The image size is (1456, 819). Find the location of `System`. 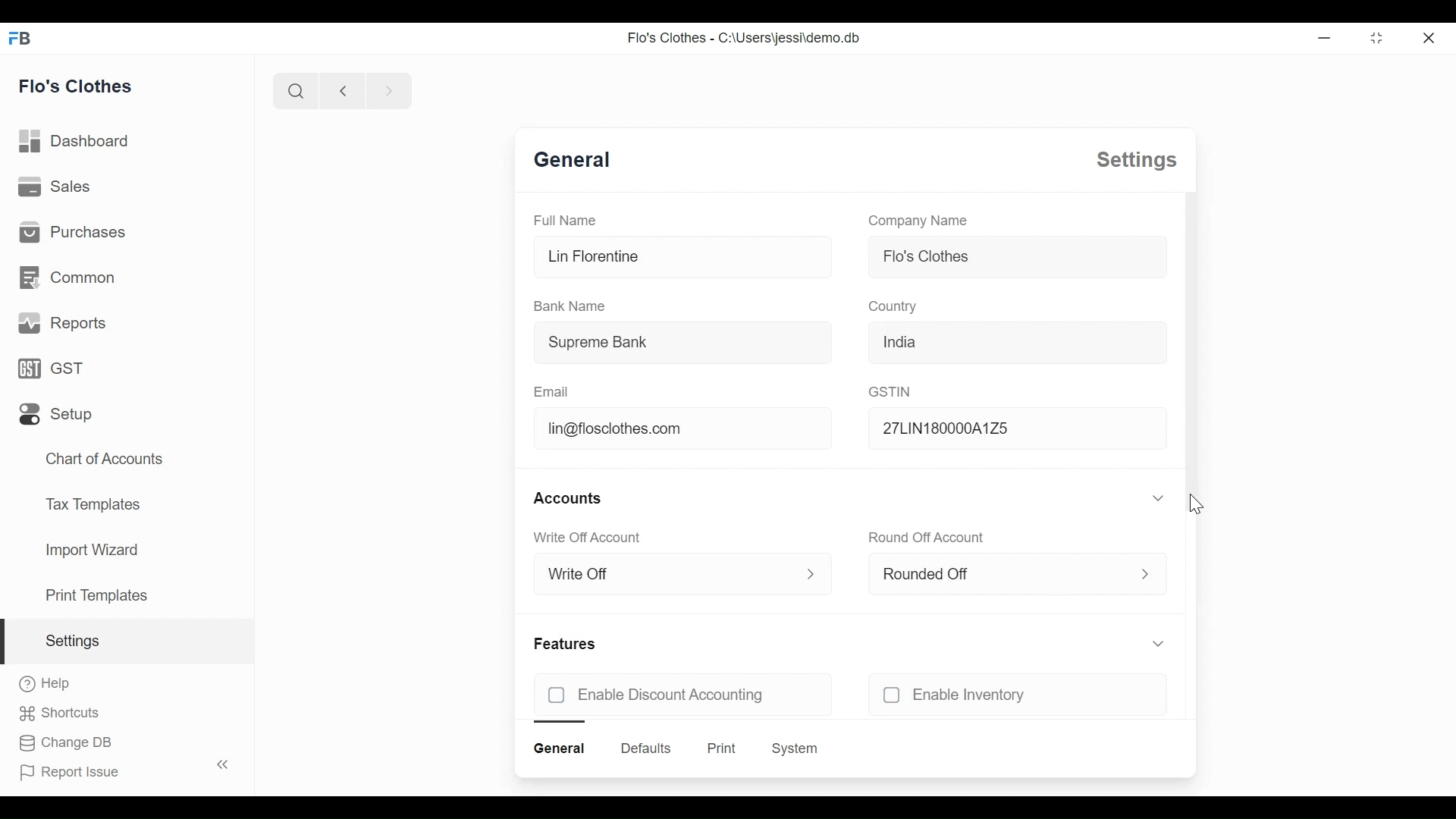

System is located at coordinates (798, 748).